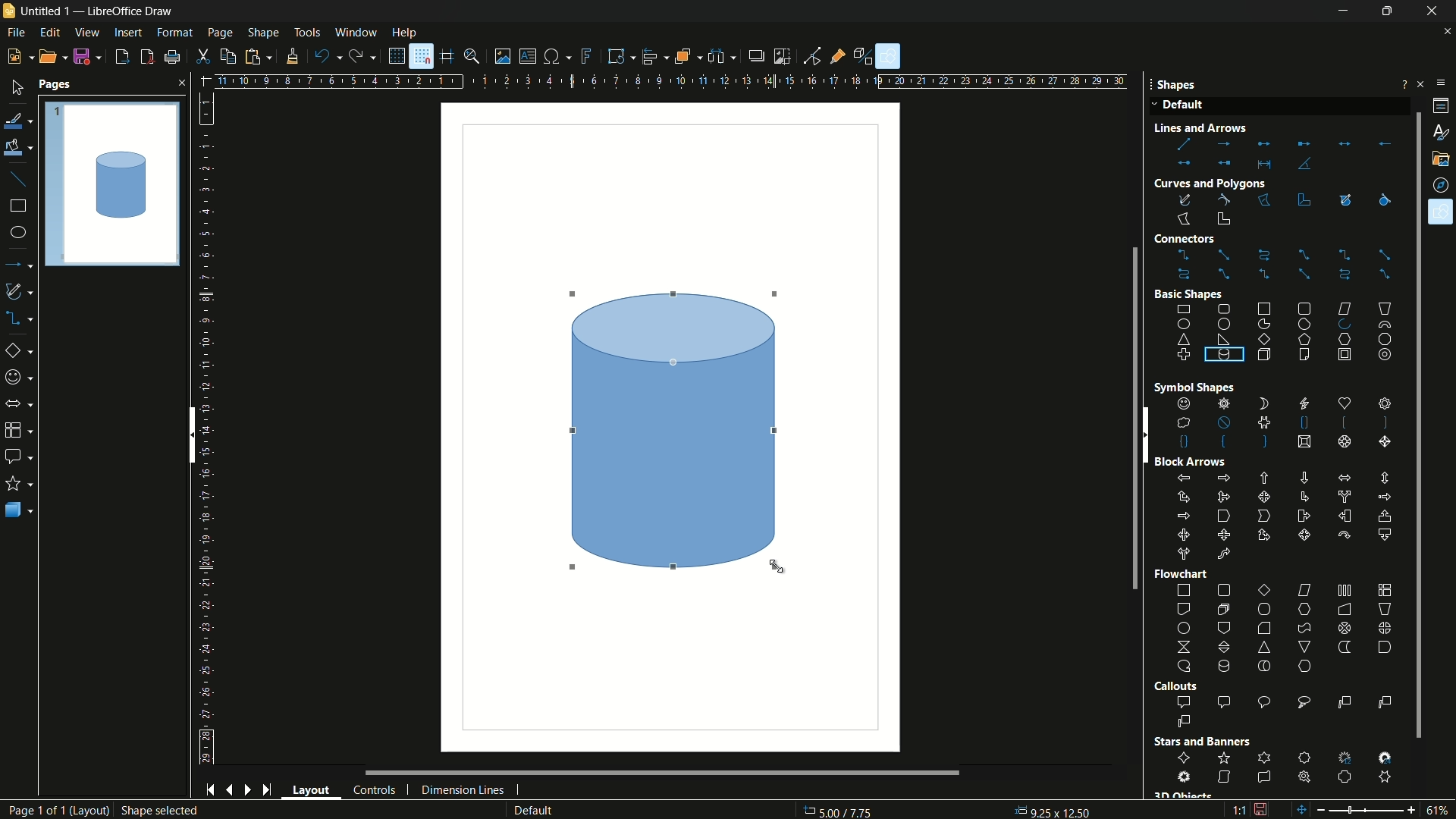 The image size is (1456, 819). I want to click on scroll bar, so click(634, 773).